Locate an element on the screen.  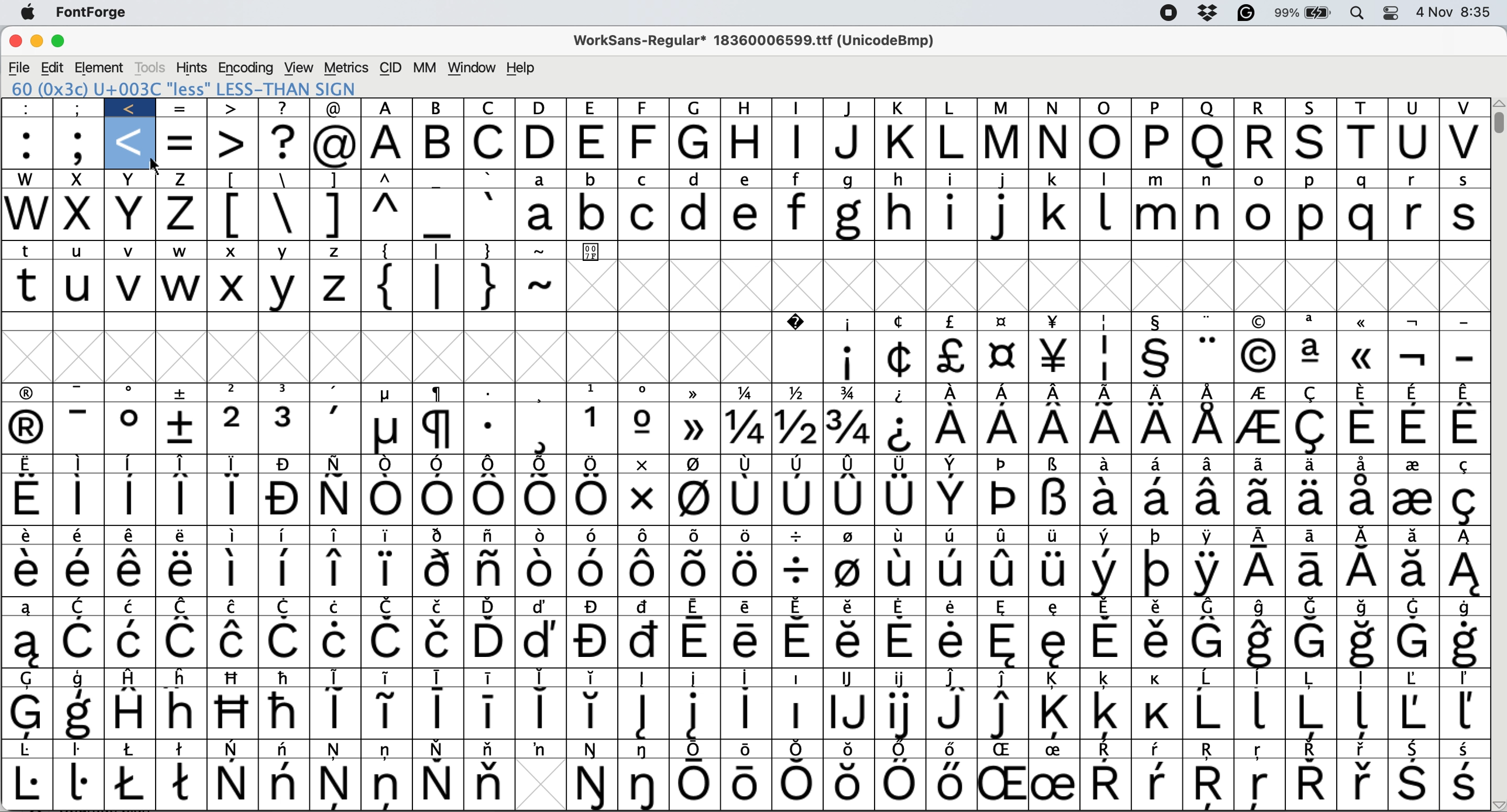
N is located at coordinates (1057, 108).